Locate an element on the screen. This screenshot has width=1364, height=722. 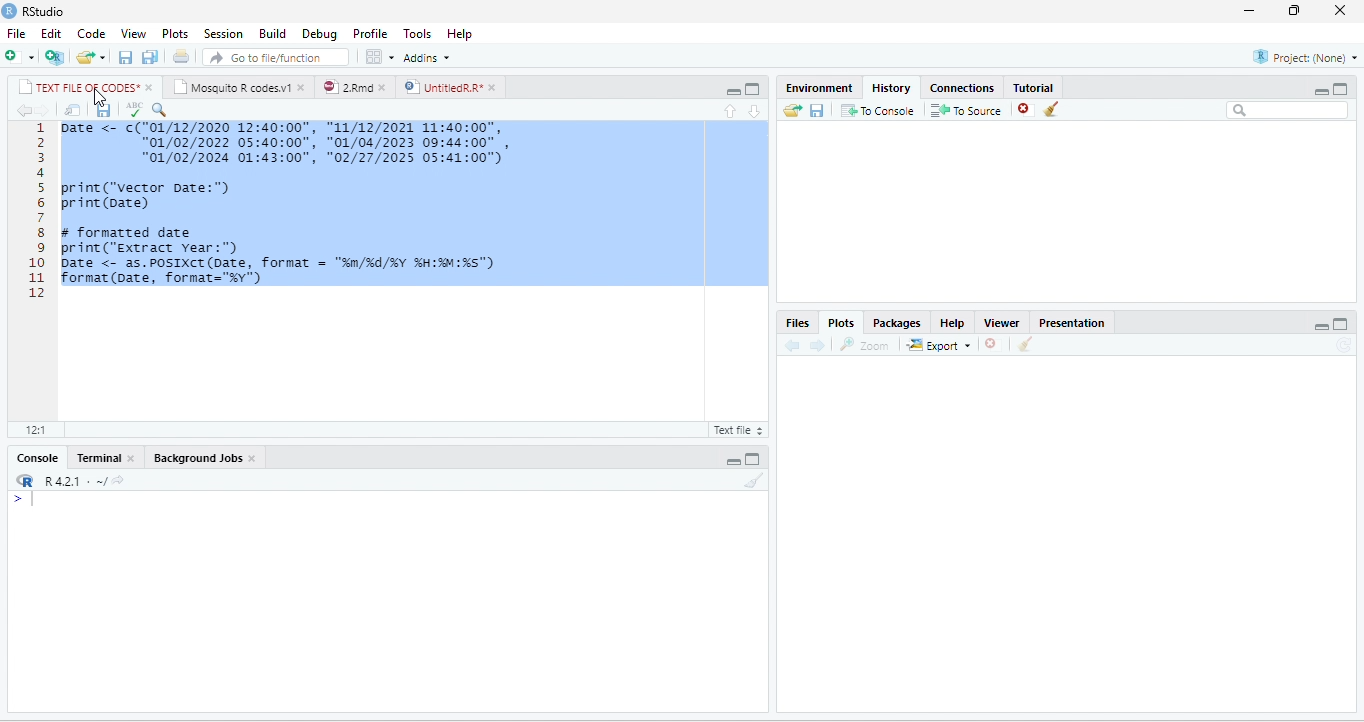
minimize is located at coordinates (1321, 326).